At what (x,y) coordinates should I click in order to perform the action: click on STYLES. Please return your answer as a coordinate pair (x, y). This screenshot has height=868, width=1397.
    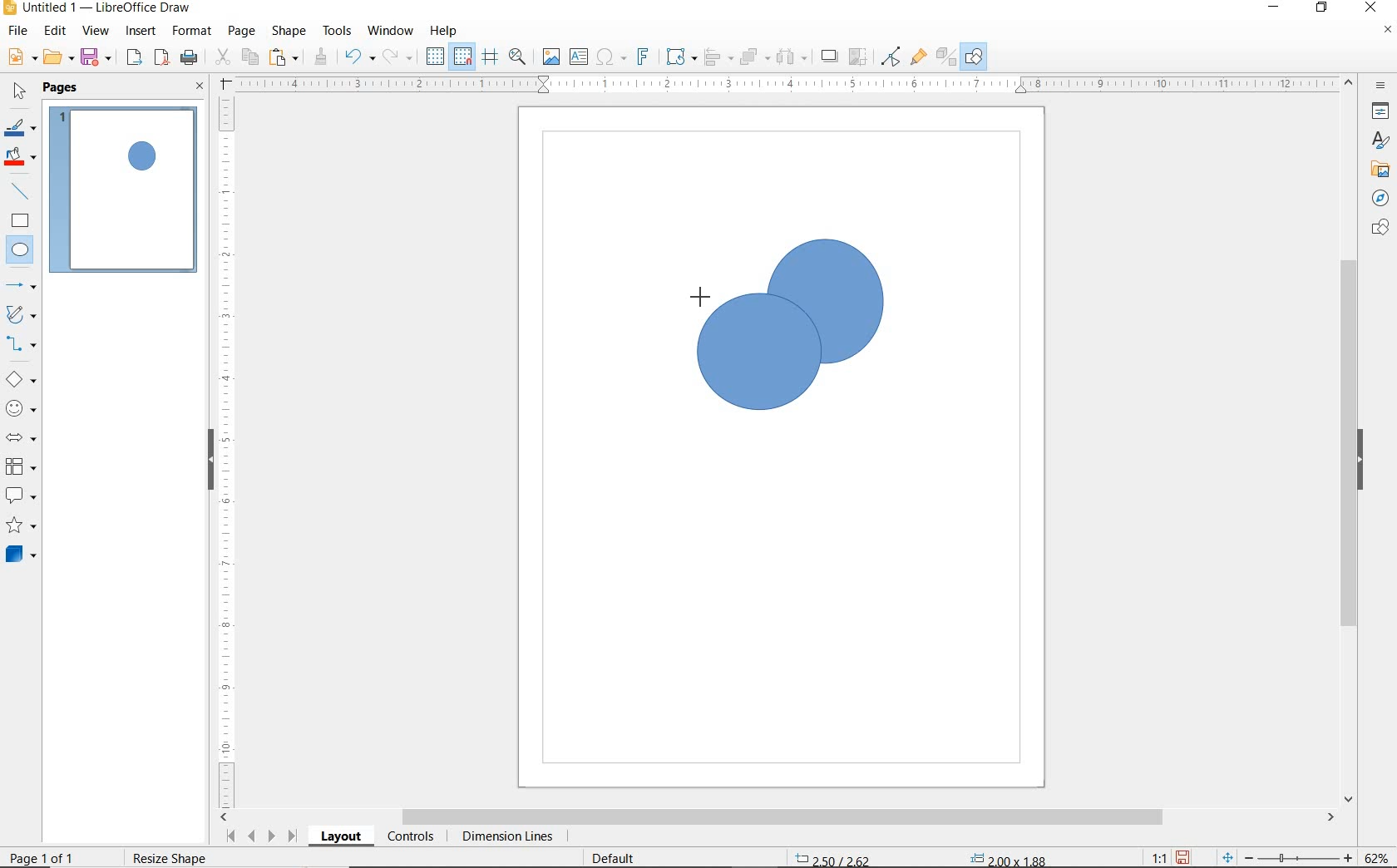
    Looking at the image, I should click on (1376, 143).